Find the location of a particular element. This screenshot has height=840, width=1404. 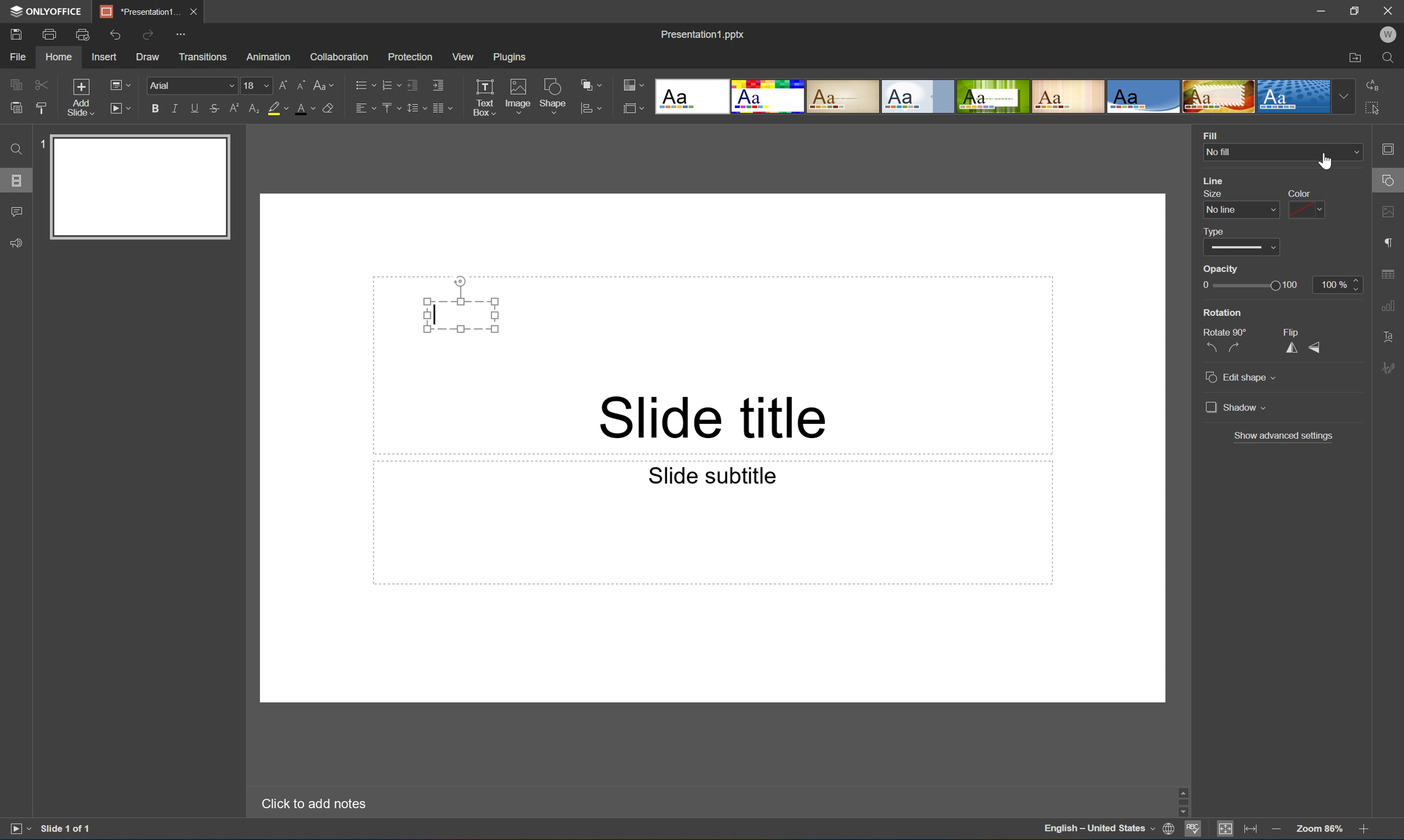

Shape is located at coordinates (554, 98).